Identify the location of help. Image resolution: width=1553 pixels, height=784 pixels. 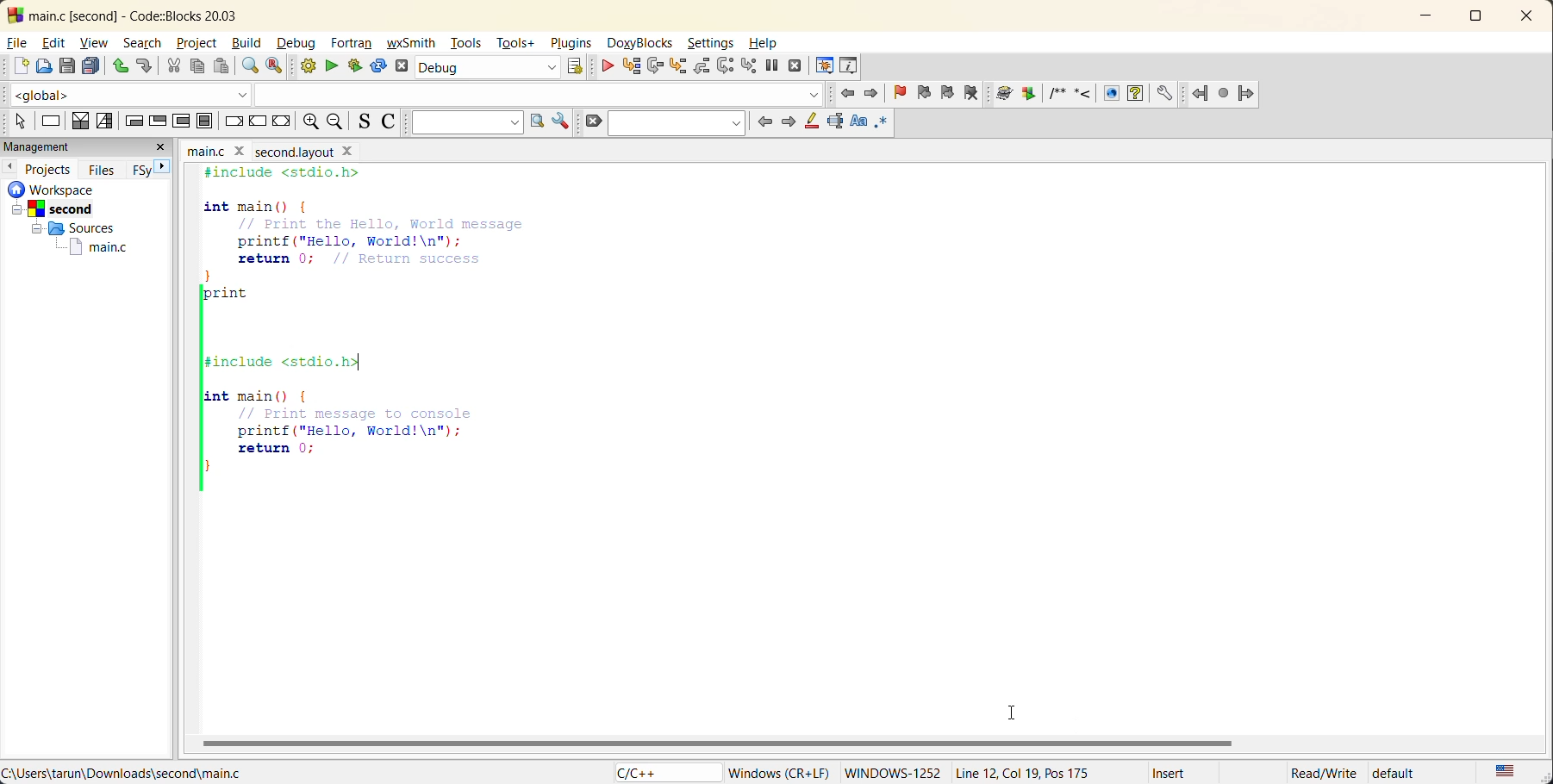
(766, 45).